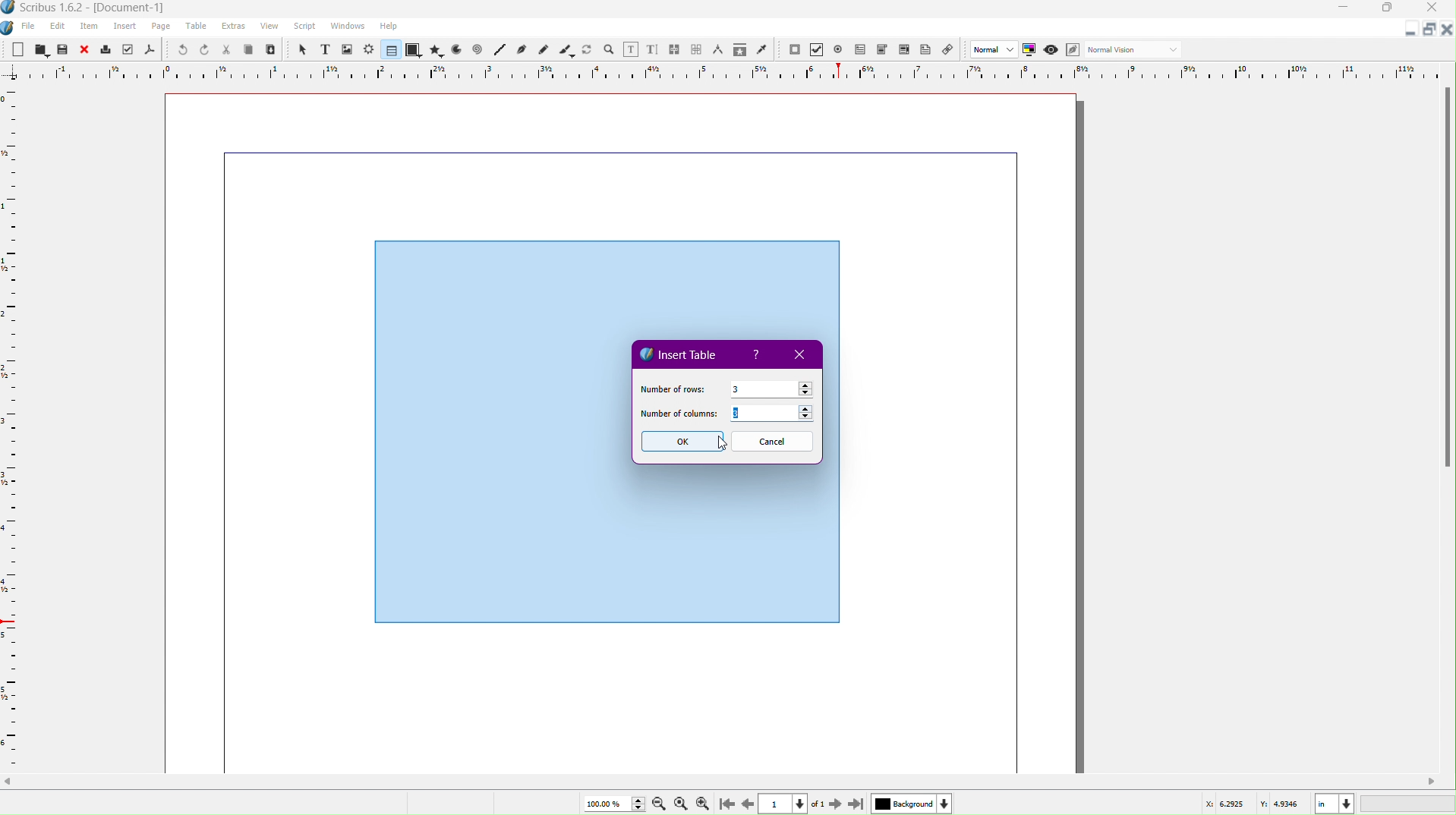 This screenshot has height=815, width=1456. Describe the element at coordinates (389, 50) in the screenshot. I see `Table` at that location.